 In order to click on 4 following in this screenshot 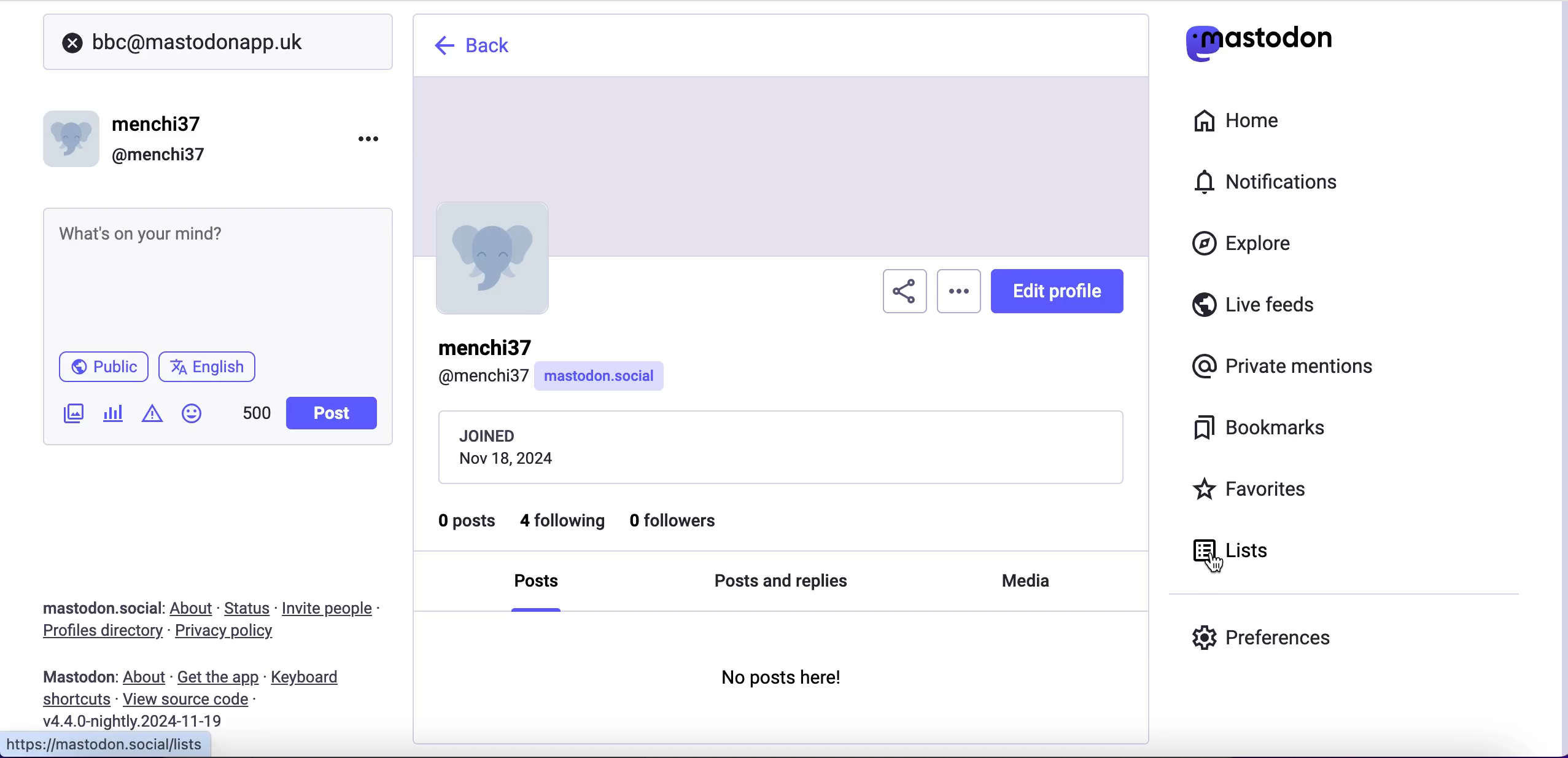, I will do `click(564, 522)`.